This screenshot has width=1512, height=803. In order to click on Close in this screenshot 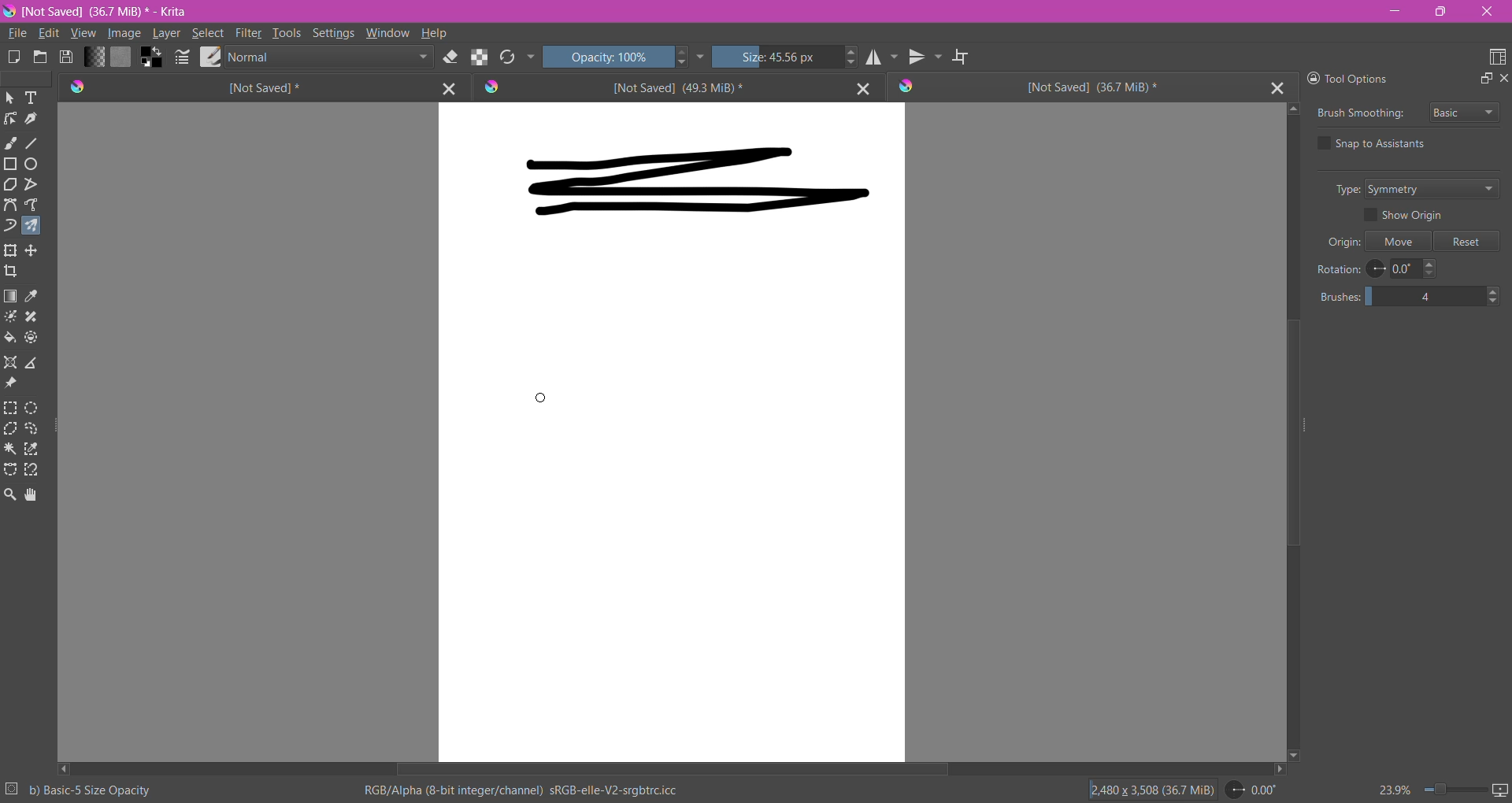, I will do `click(1486, 13)`.